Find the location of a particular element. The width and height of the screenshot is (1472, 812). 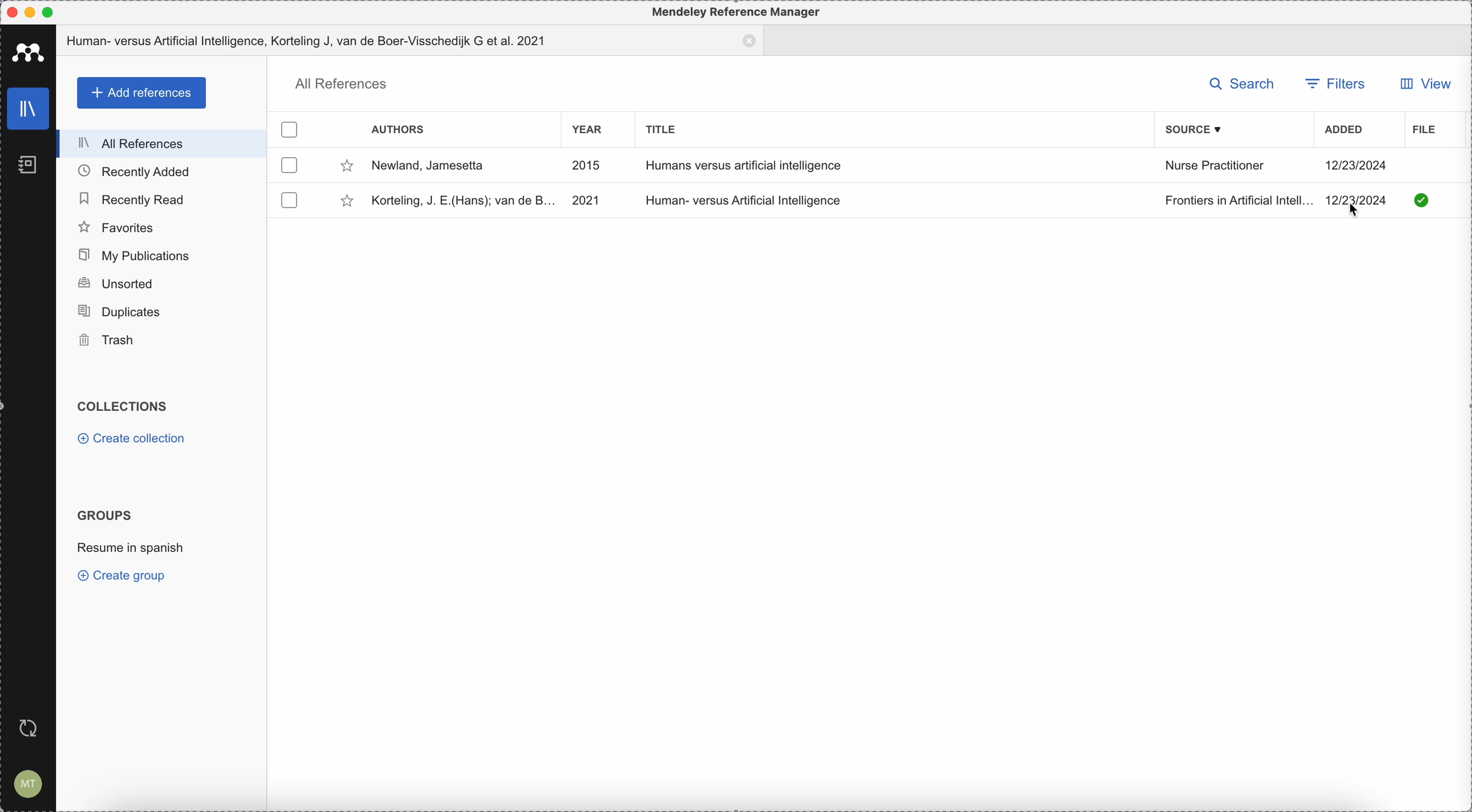

all references is located at coordinates (339, 84).